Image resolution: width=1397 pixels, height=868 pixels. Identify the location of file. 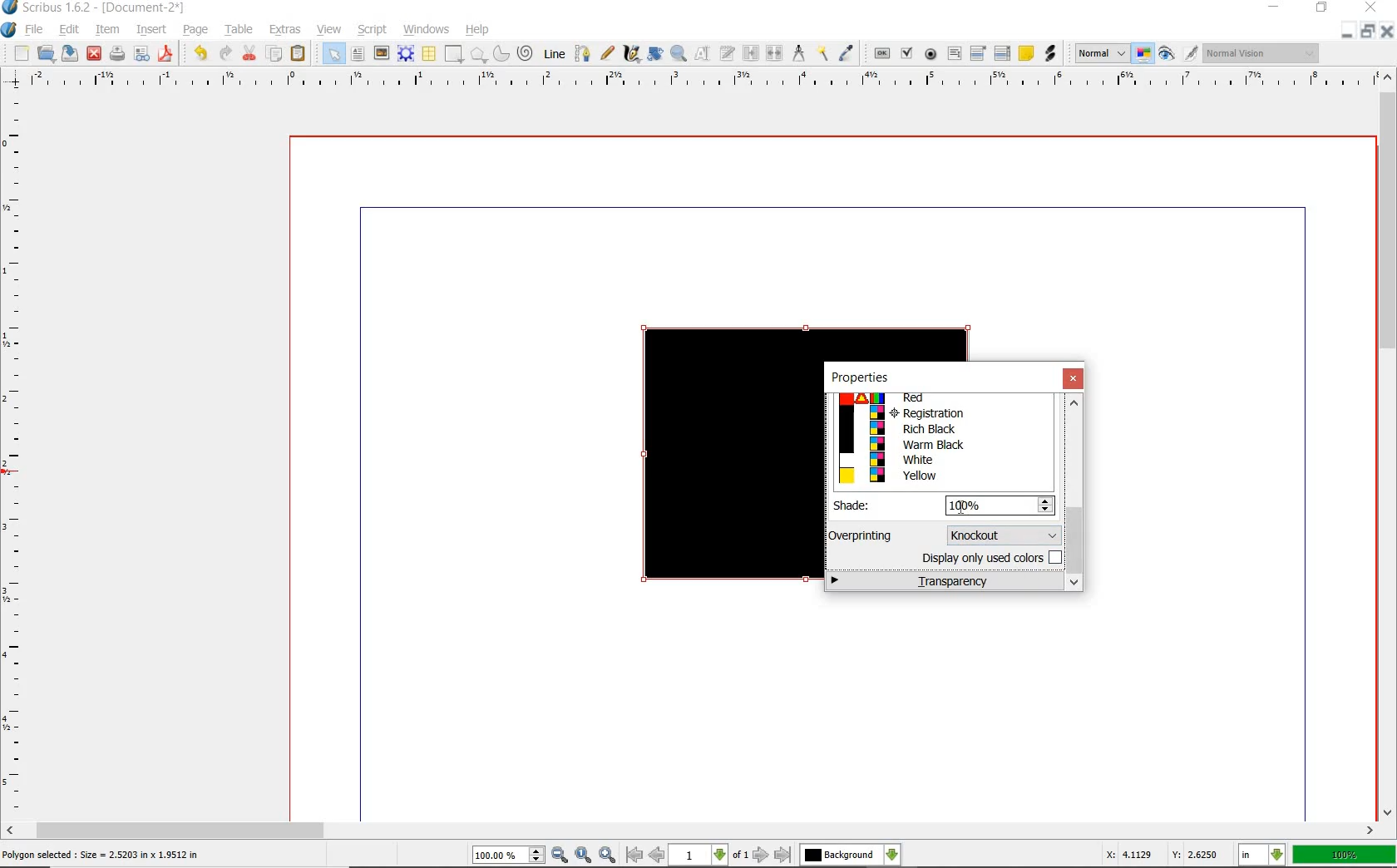
(35, 32).